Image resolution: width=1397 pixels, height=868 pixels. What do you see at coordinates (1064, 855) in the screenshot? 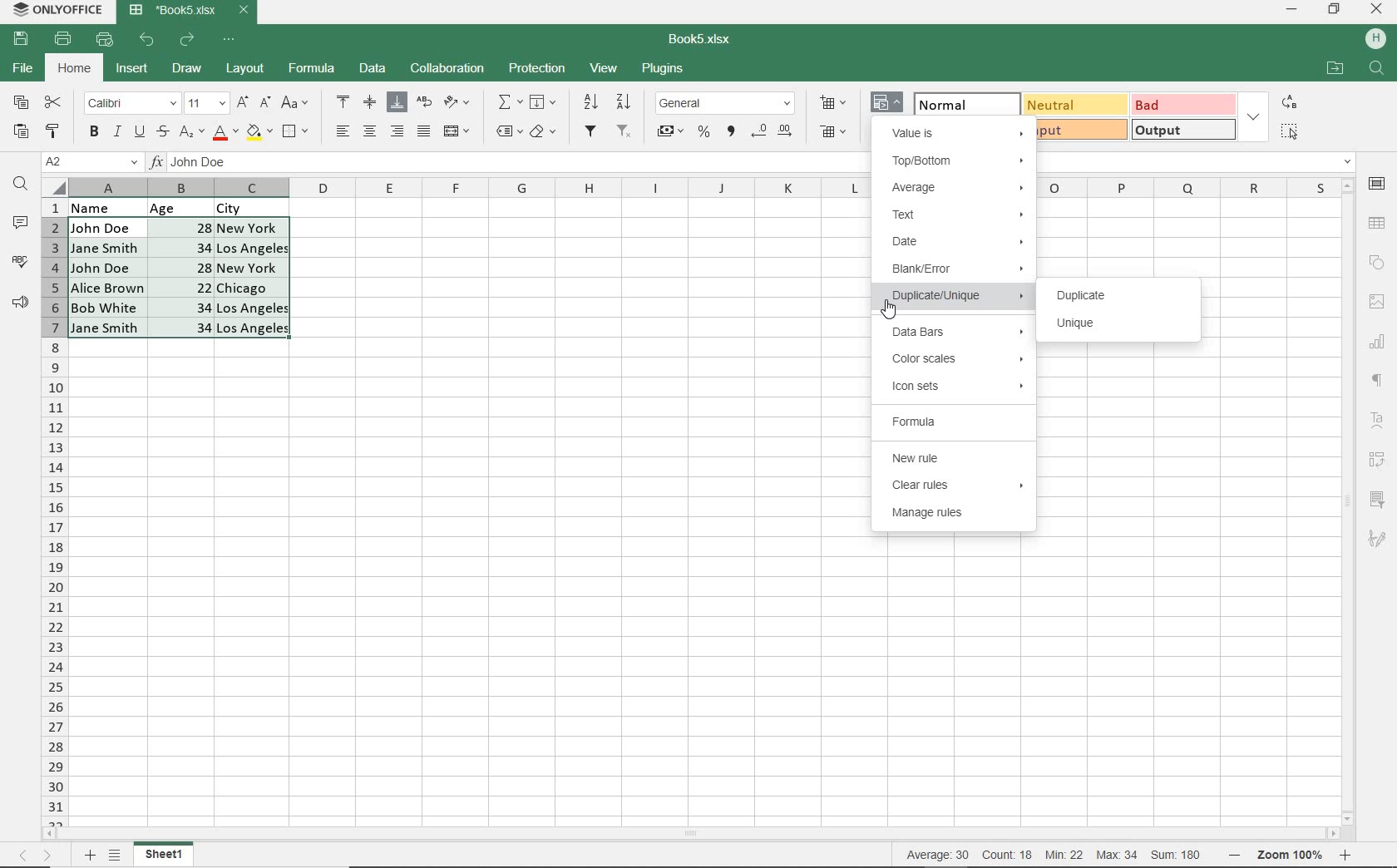
I see `min` at bounding box center [1064, 855].